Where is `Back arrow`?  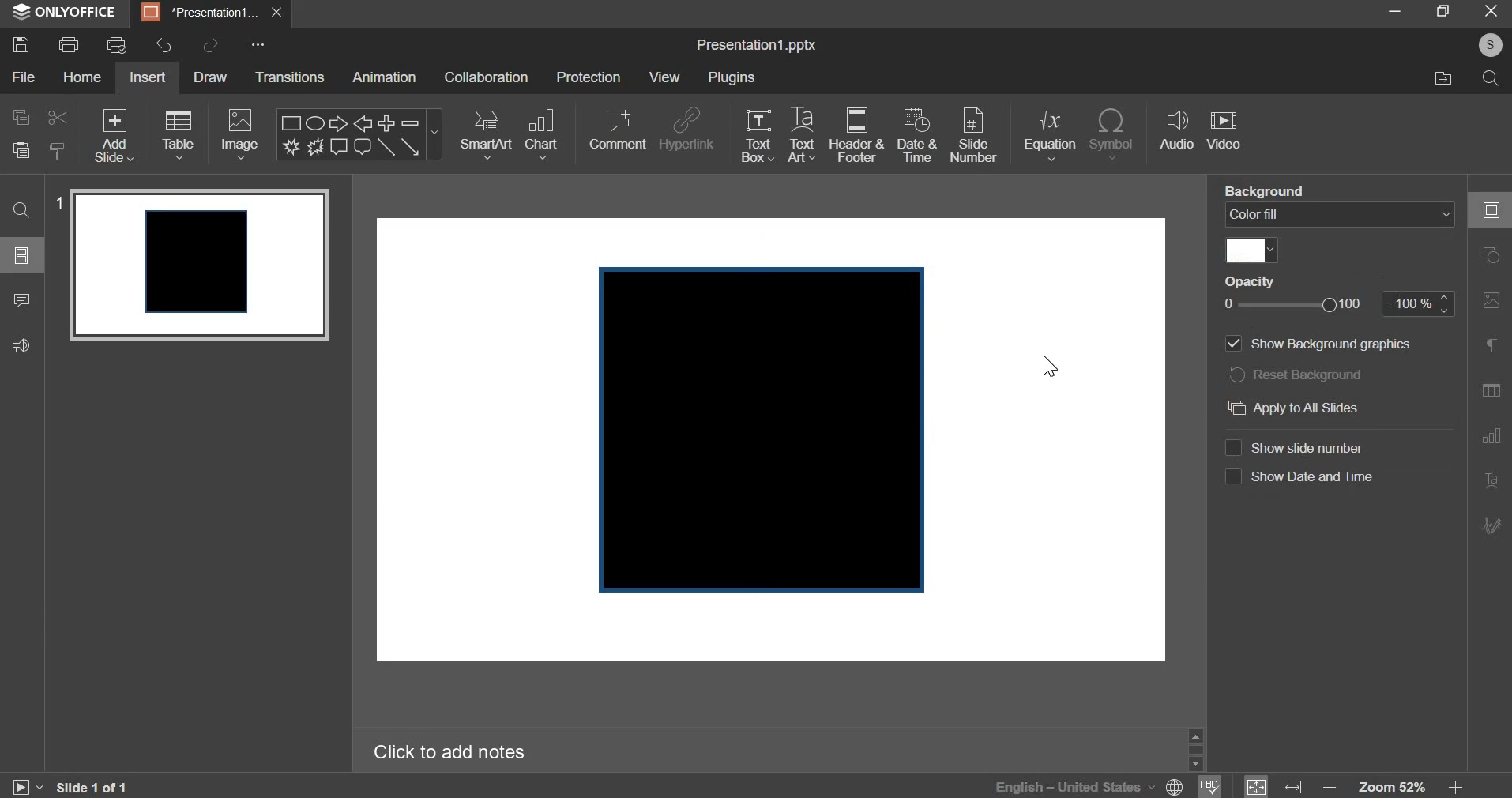
Back arrow is located at coordinates (365, 123).